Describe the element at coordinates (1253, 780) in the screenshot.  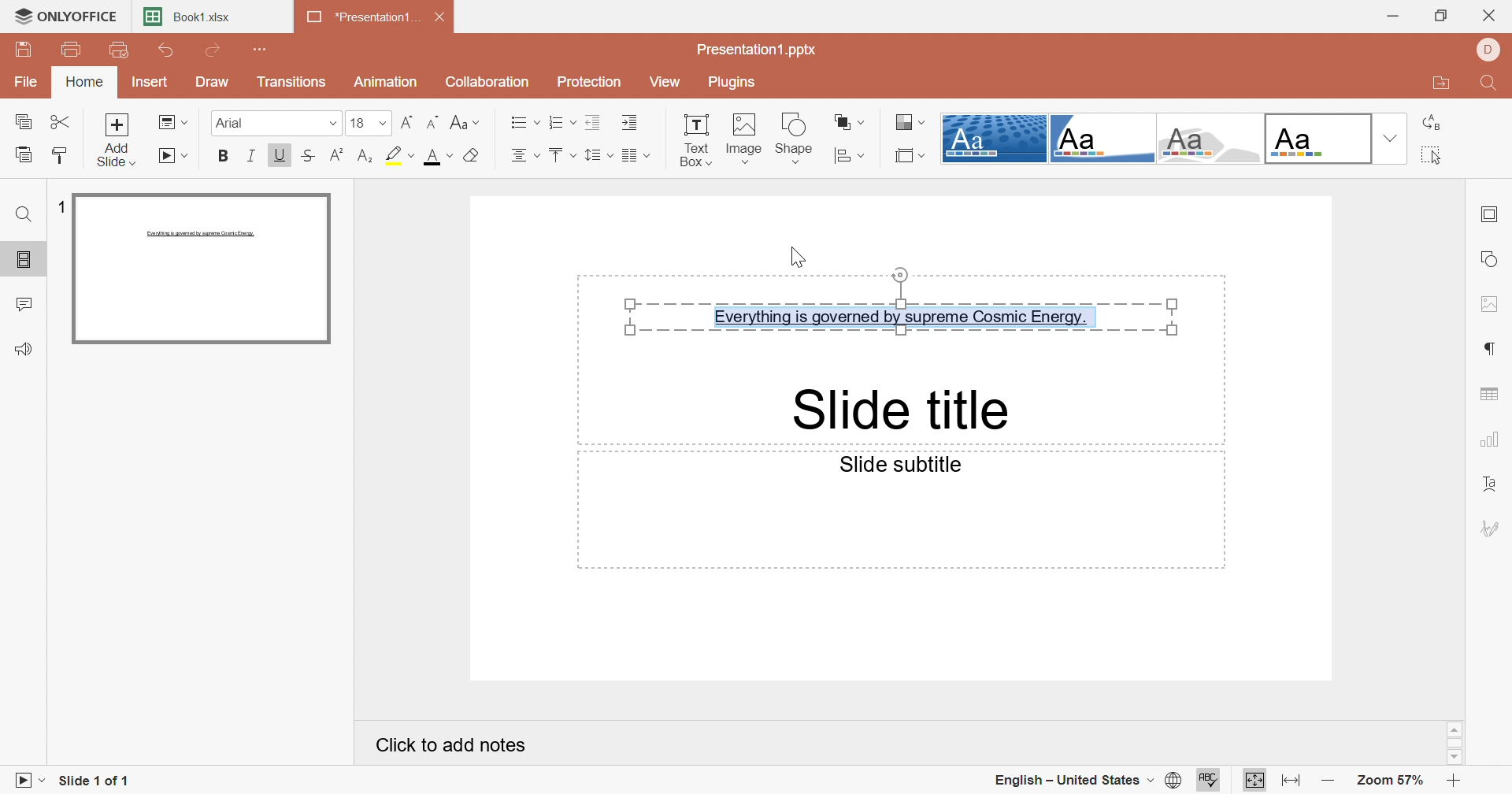
I see `Fit to slide` at that location.